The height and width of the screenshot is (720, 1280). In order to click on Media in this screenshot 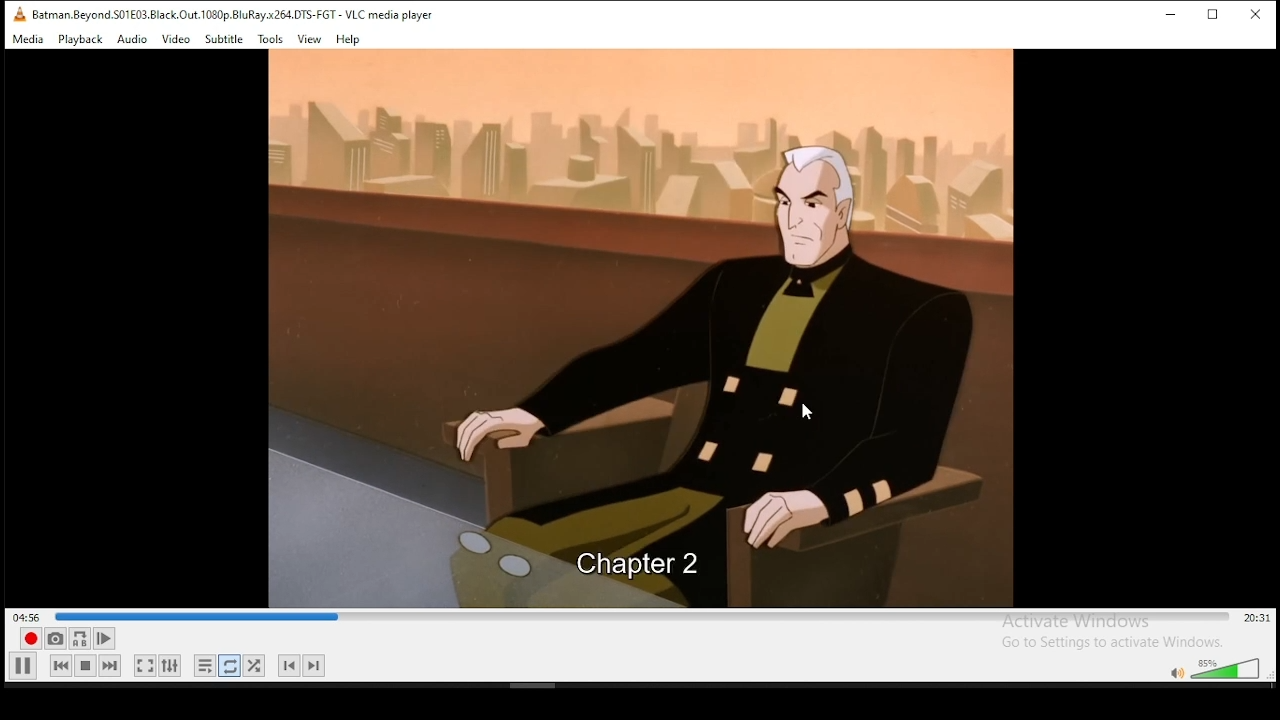, I will do `click(29, 40)`.